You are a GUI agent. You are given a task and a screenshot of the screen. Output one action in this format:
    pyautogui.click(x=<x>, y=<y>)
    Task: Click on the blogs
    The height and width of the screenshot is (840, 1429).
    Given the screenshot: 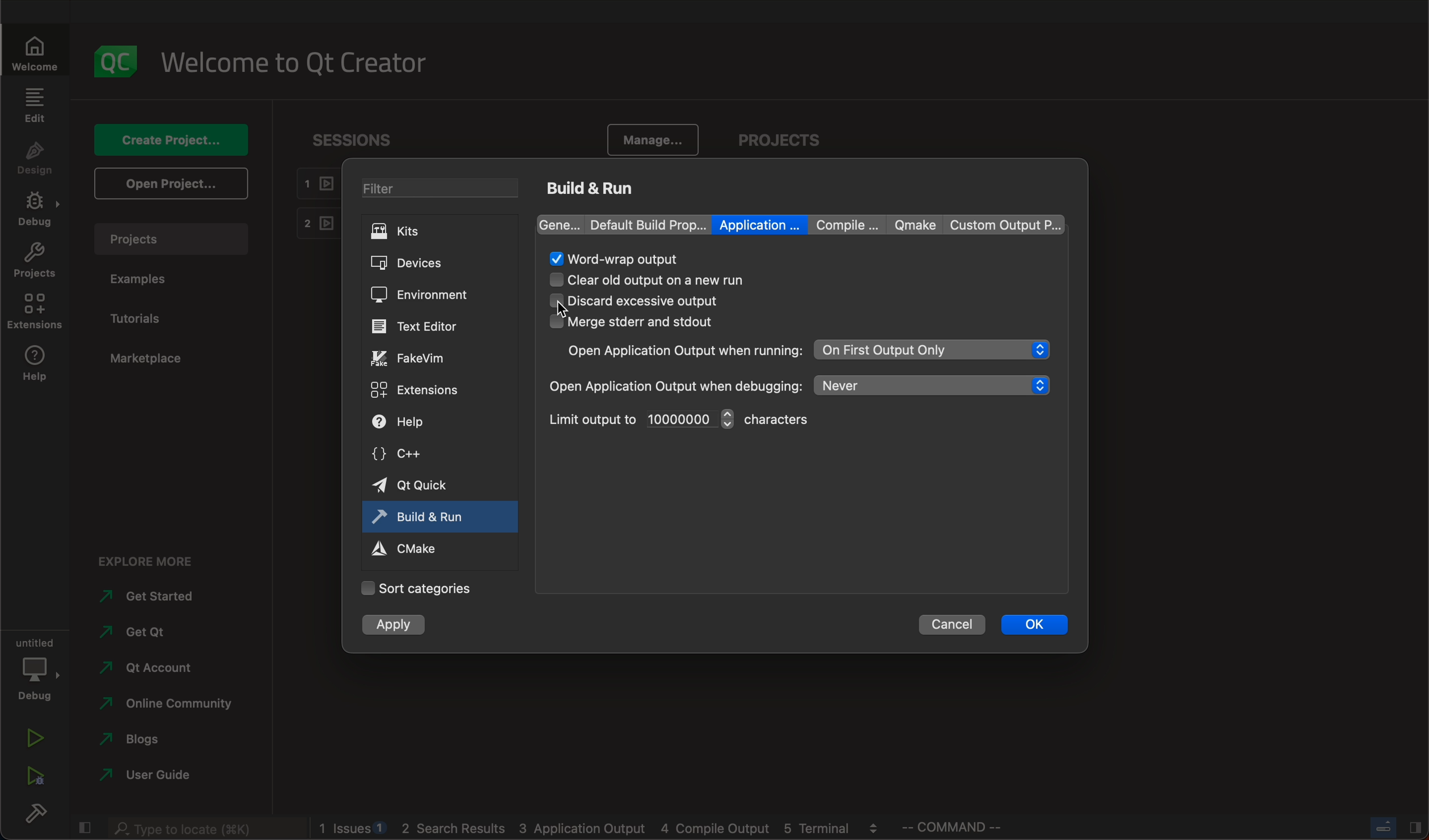 What is the action you would take?
    pyautogui.click(x=602, y=828)
    